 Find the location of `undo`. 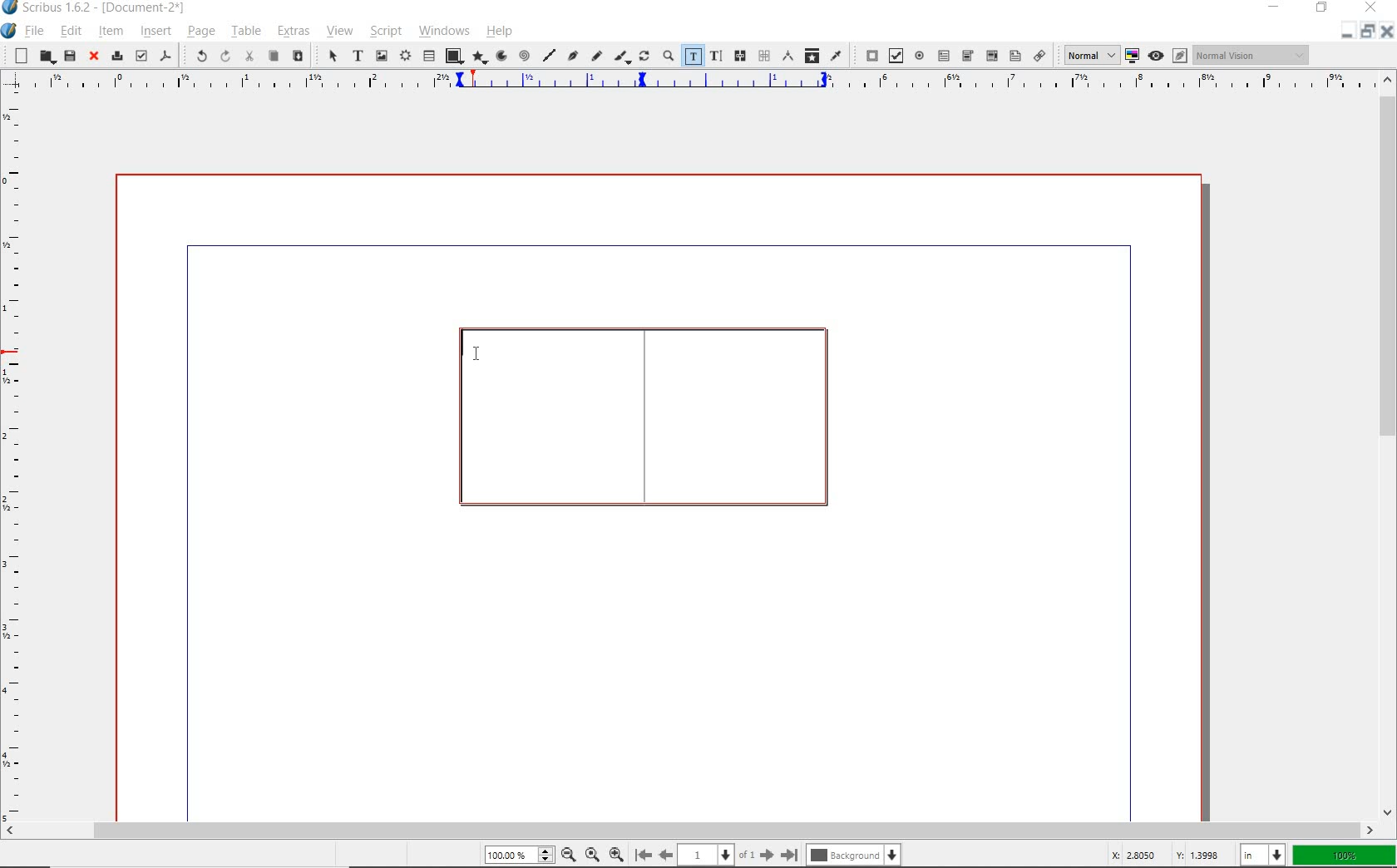

undo is located at coordinates (198, 56).